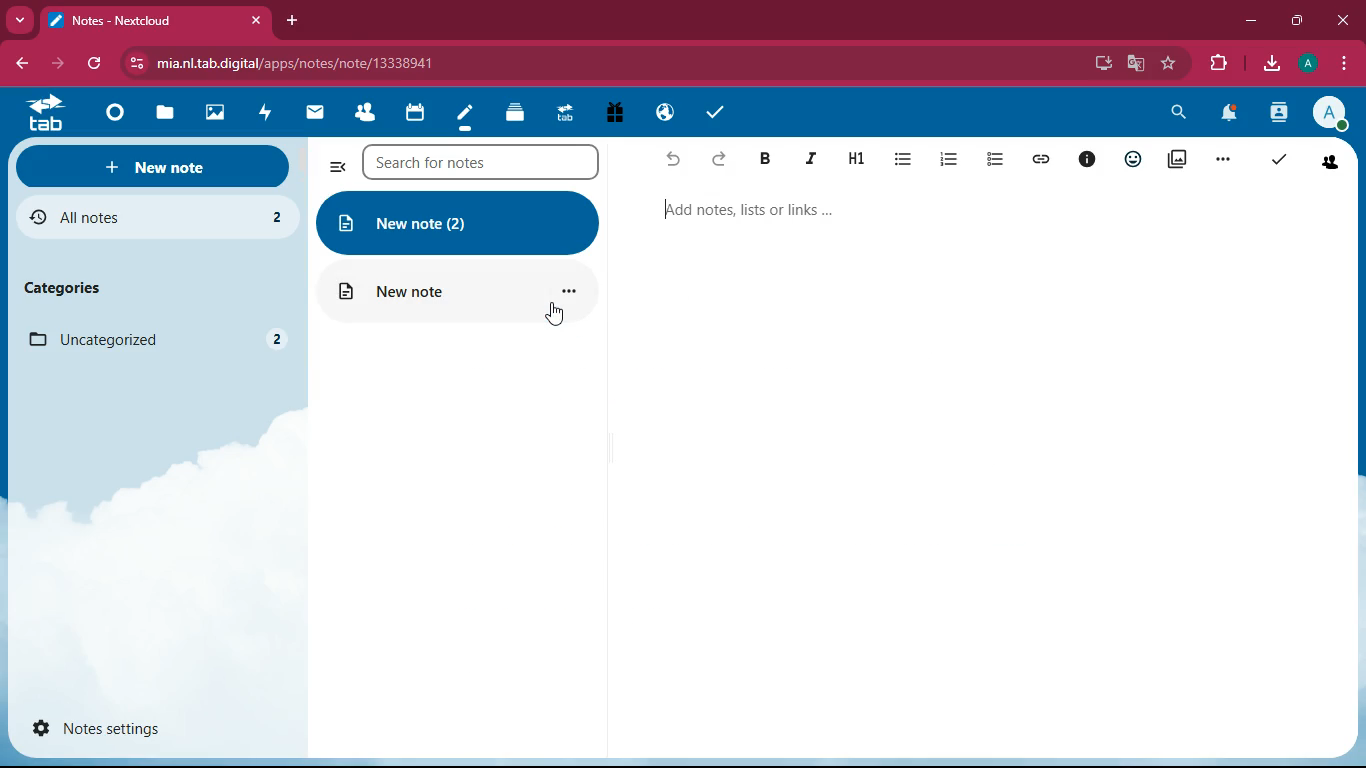 This screenshot has height=768, width=1366. I want to click on search, so click(1180, 115).